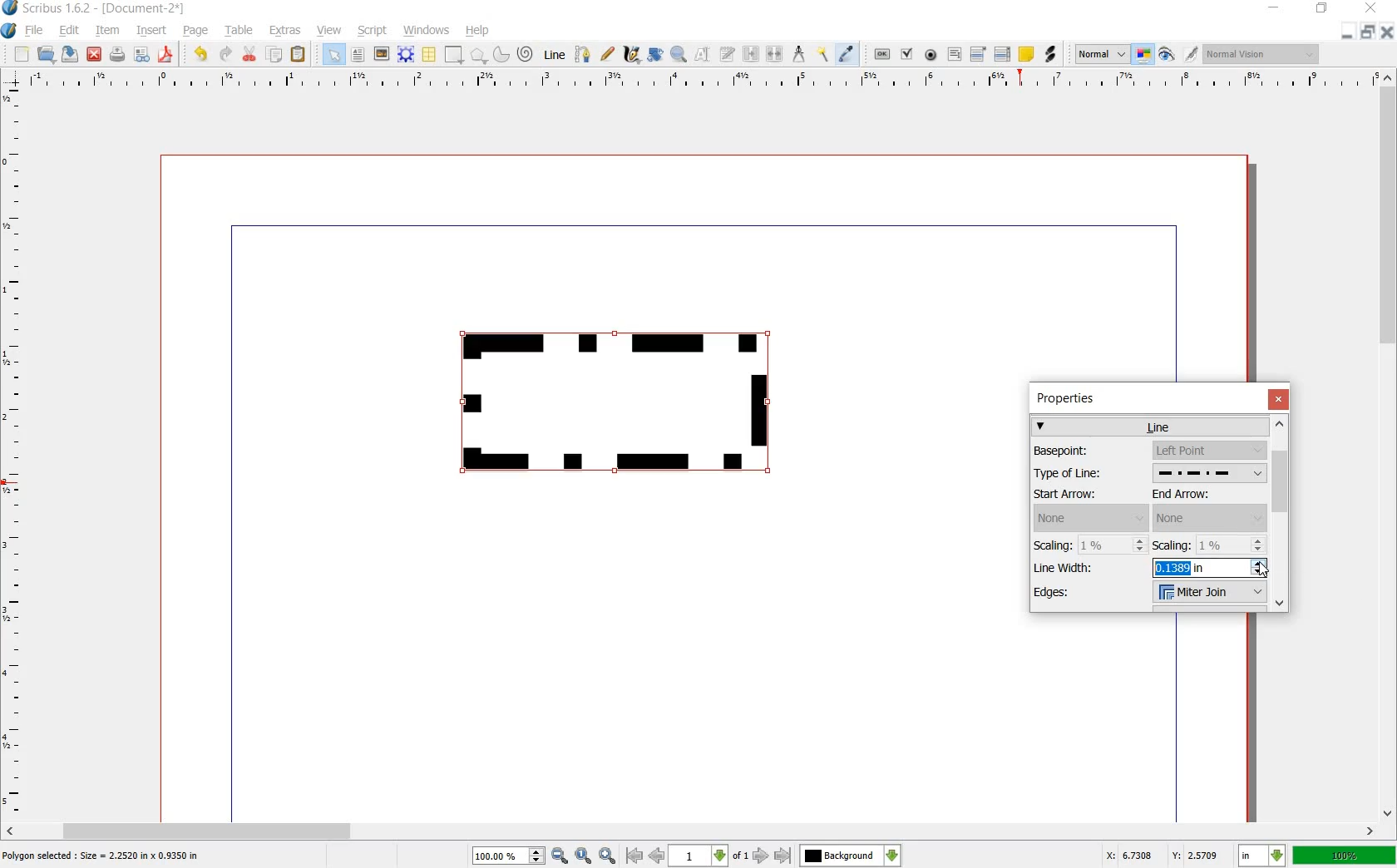 This screenshot has width=1397, height=868. Describe the element at coordinates (1272, 8) in the screenshot. I see `MINIMIZE` at that location.